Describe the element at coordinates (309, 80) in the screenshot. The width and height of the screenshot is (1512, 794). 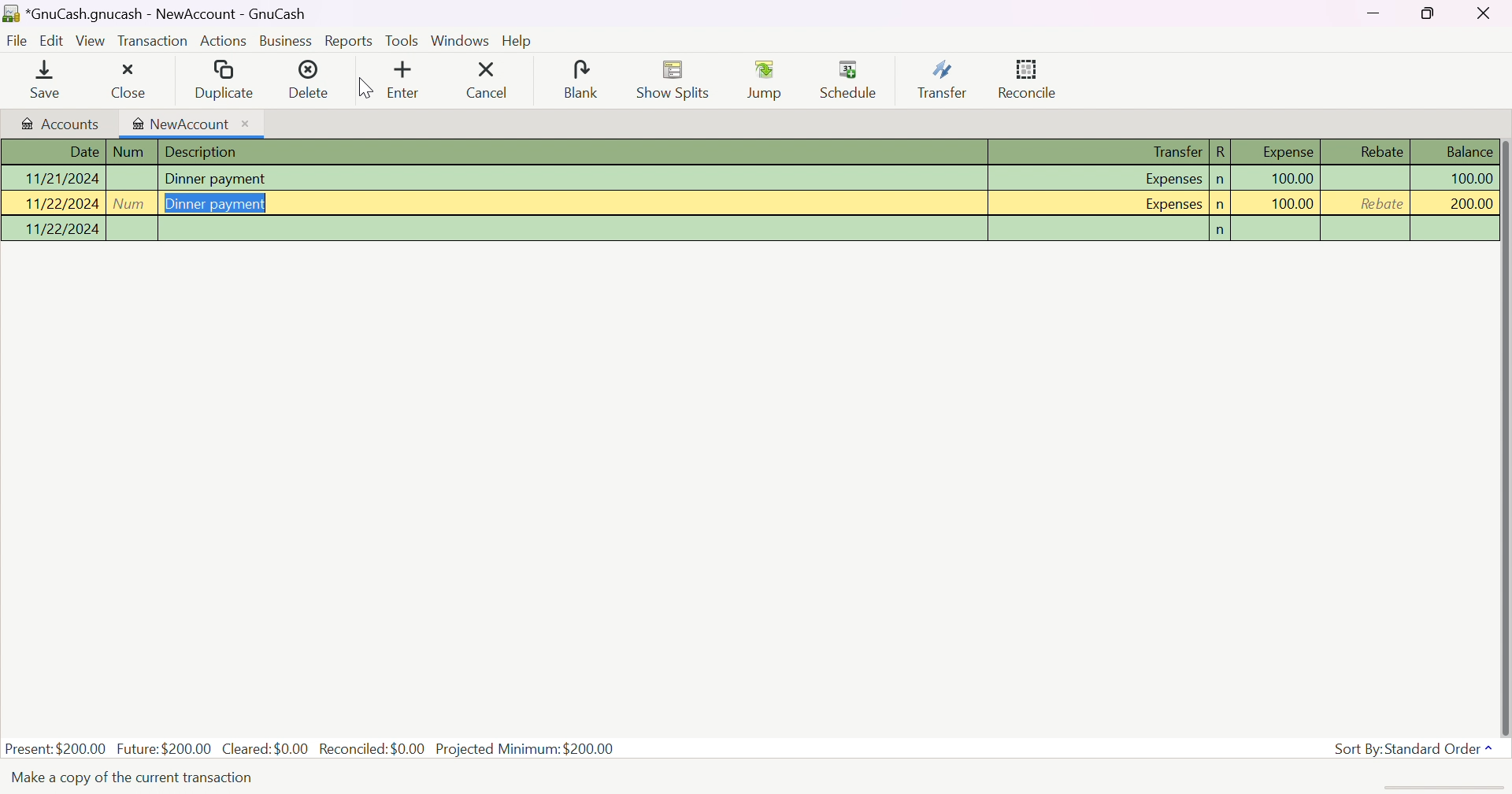
I see `Delete` at that location.